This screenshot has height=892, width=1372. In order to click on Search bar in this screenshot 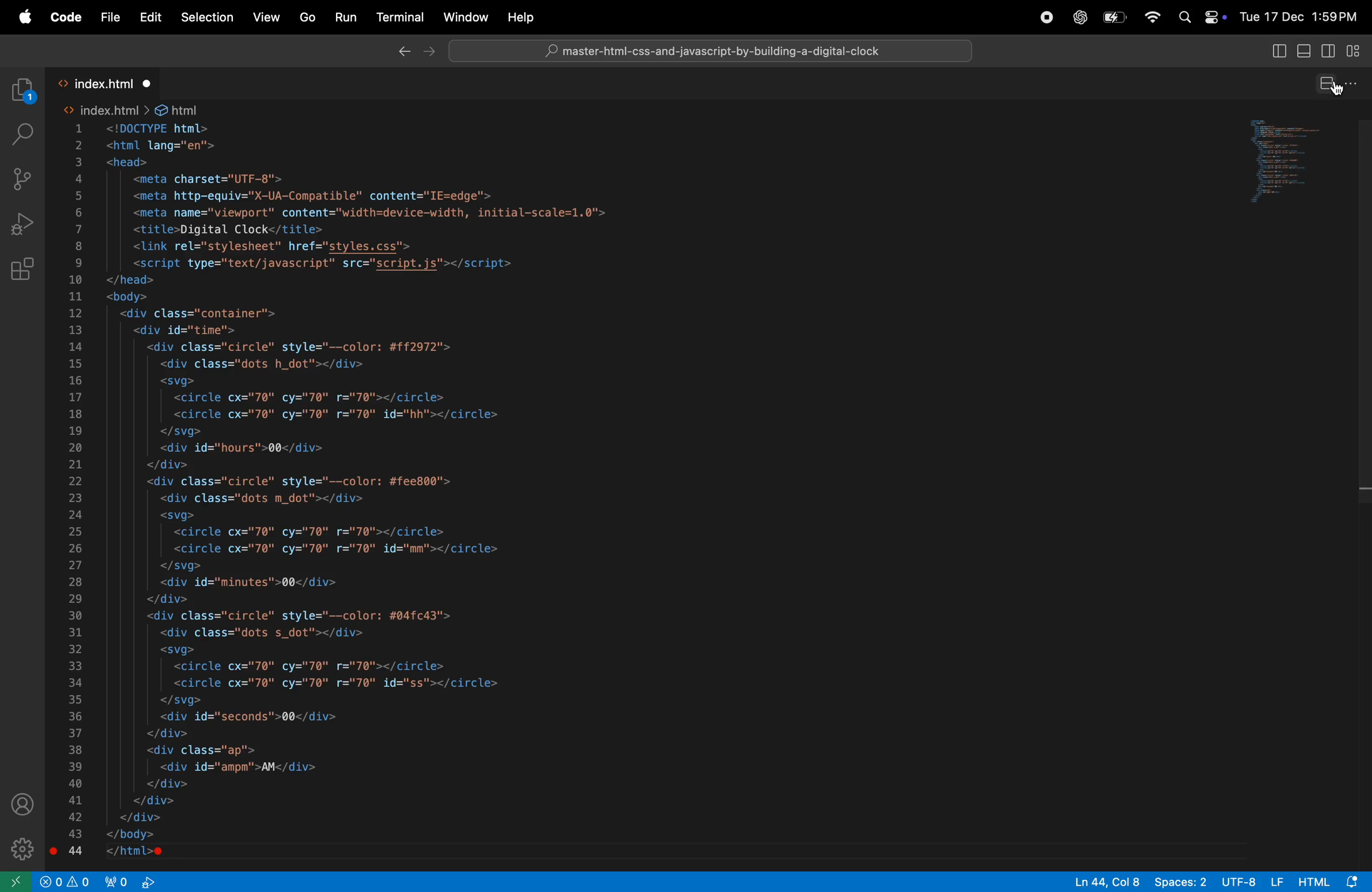, I will do `click(713, 51)`.